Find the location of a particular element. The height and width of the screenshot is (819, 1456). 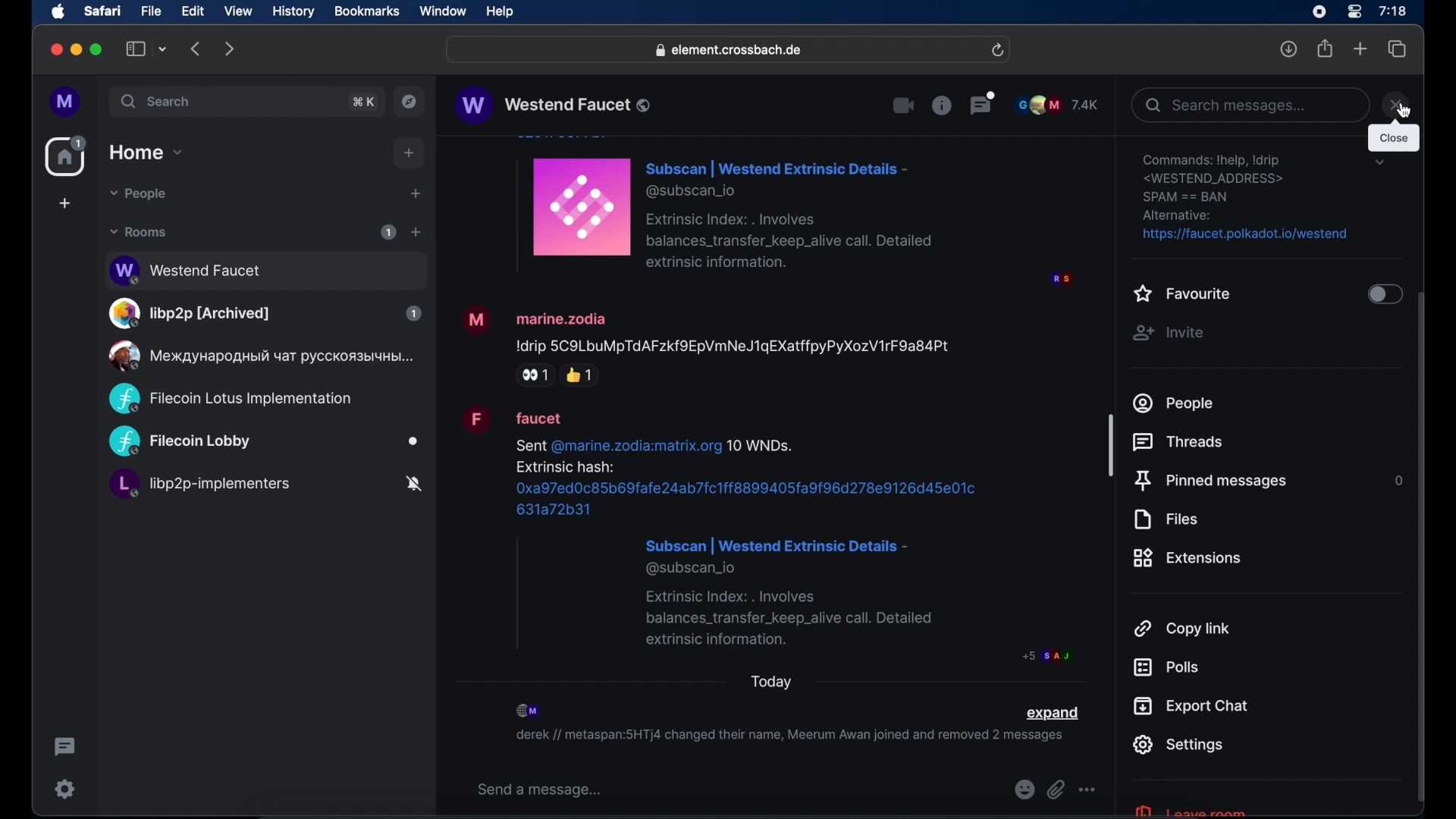

create space is located at coordinates (64, 203).